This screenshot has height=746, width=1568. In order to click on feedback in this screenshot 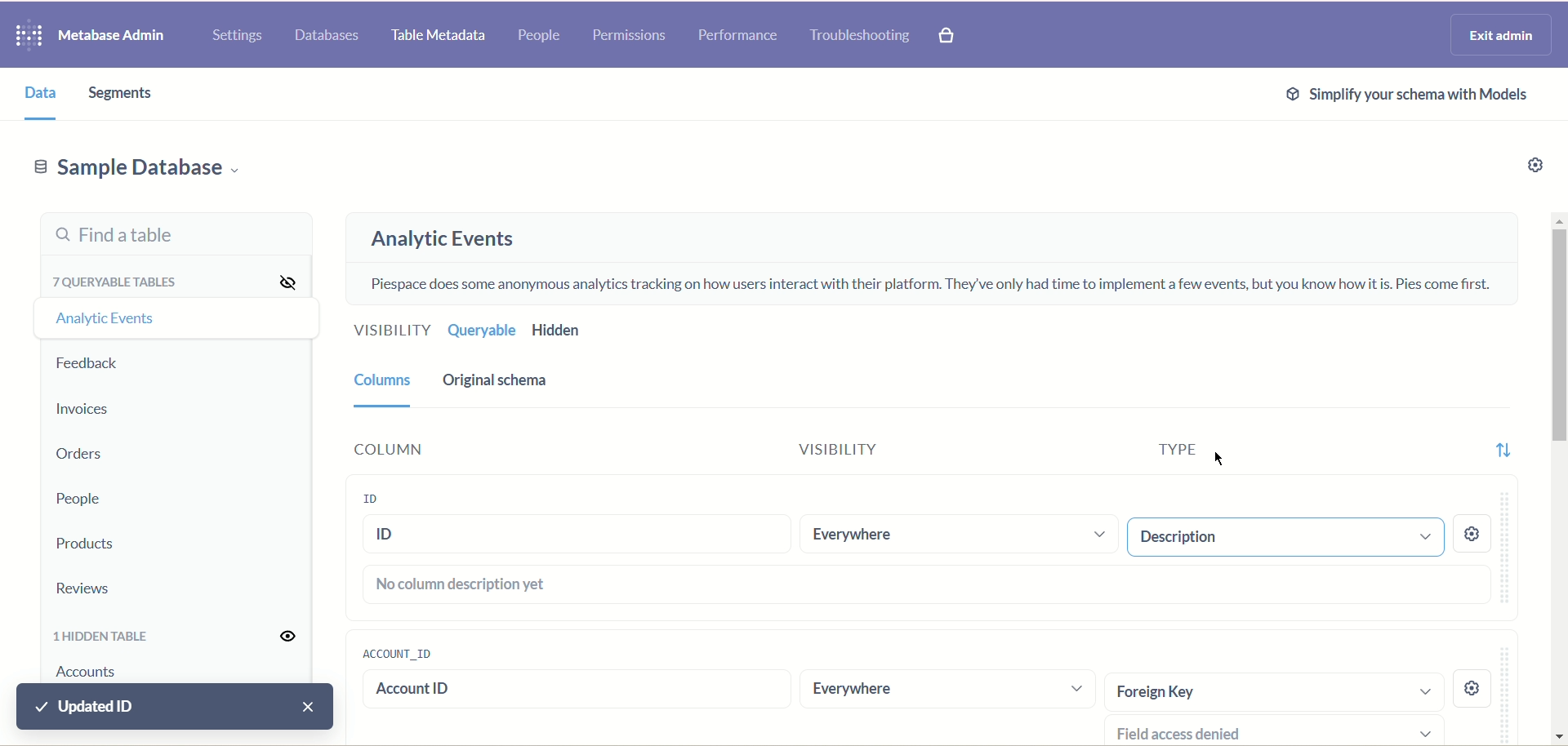, I will do `click(91, 364)`.